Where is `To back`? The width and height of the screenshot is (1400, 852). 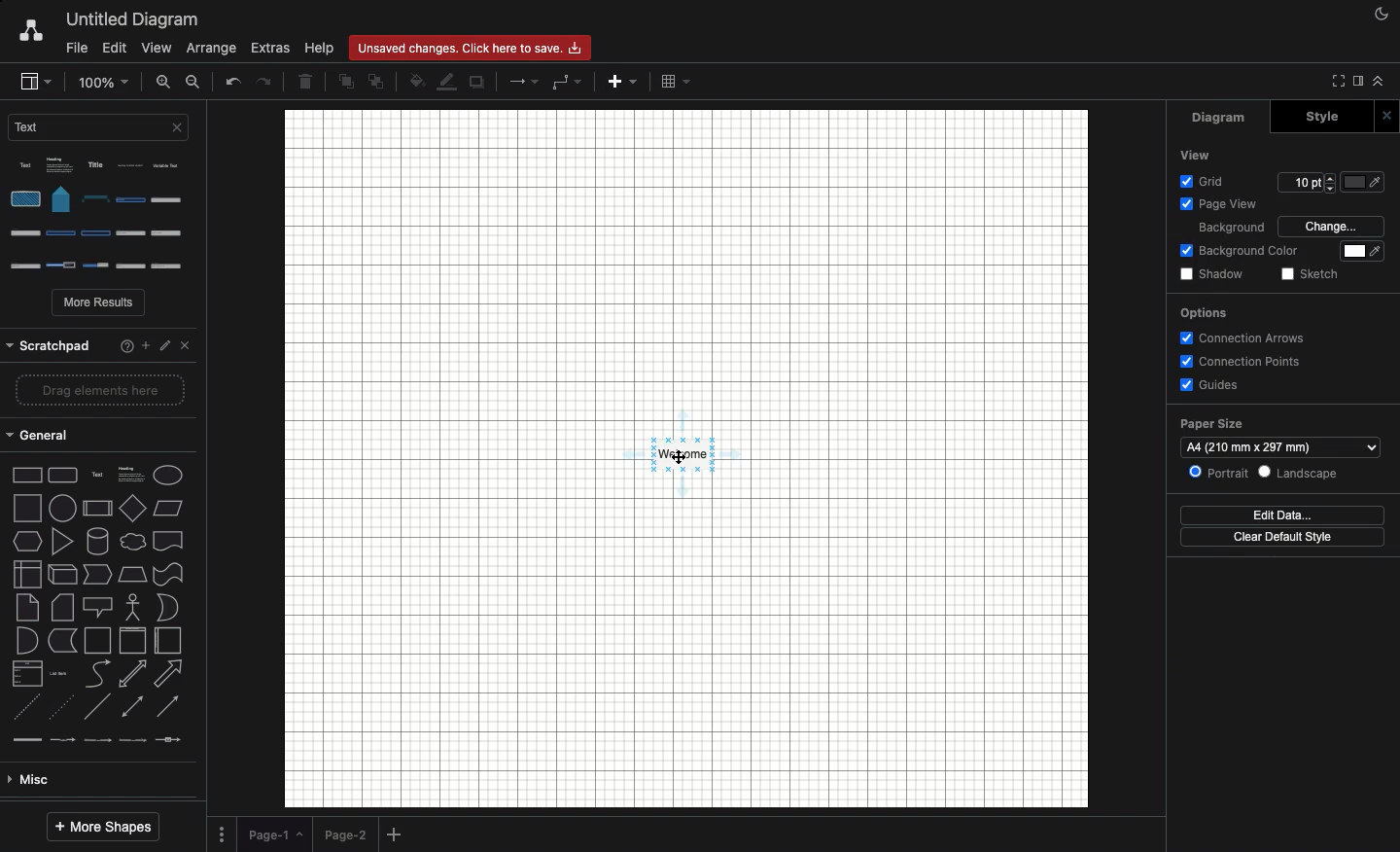 To back is located at coordinates (375, 81).